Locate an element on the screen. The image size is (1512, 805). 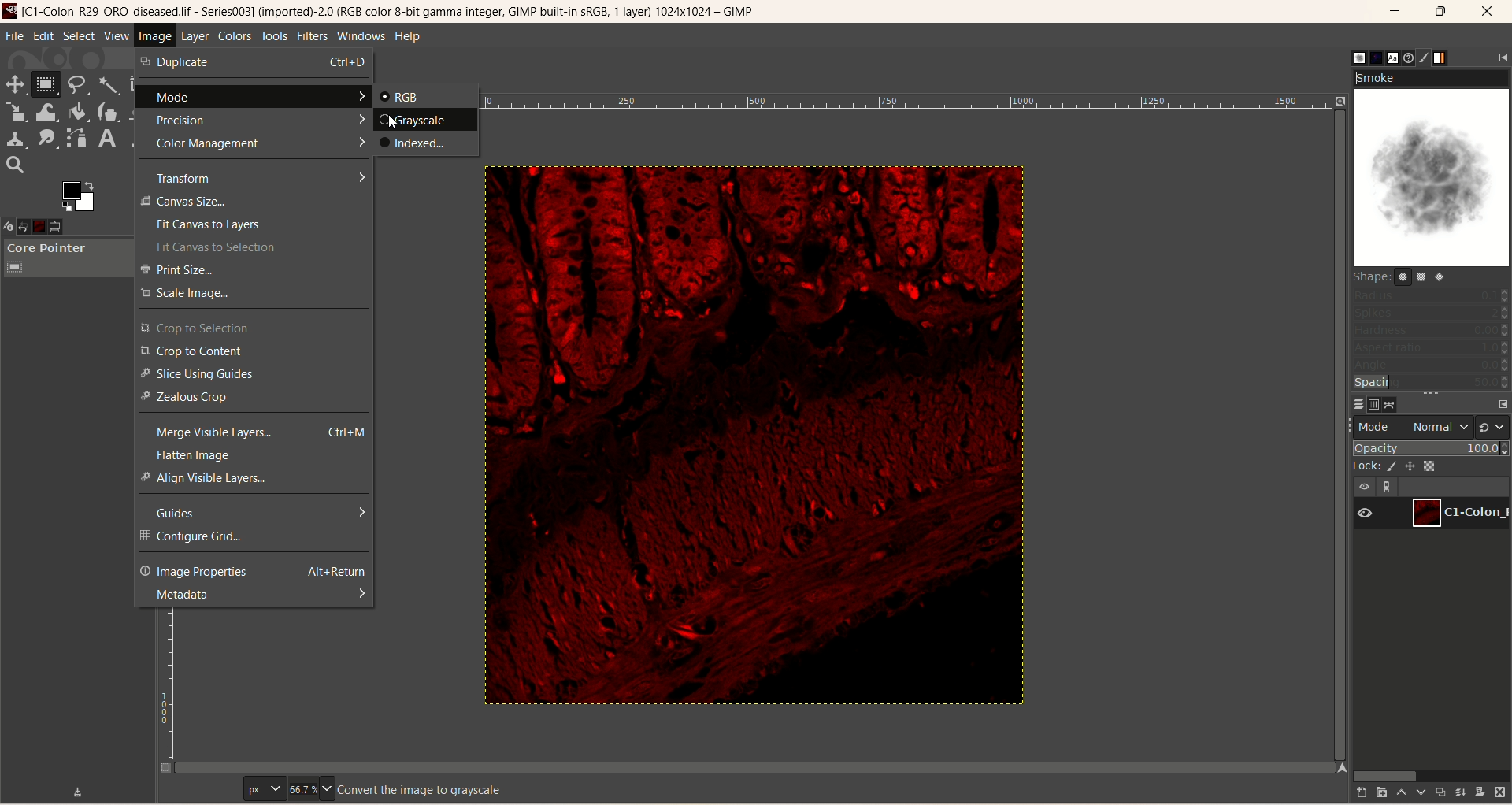
zealous crop is located at coordinates (252, 398).